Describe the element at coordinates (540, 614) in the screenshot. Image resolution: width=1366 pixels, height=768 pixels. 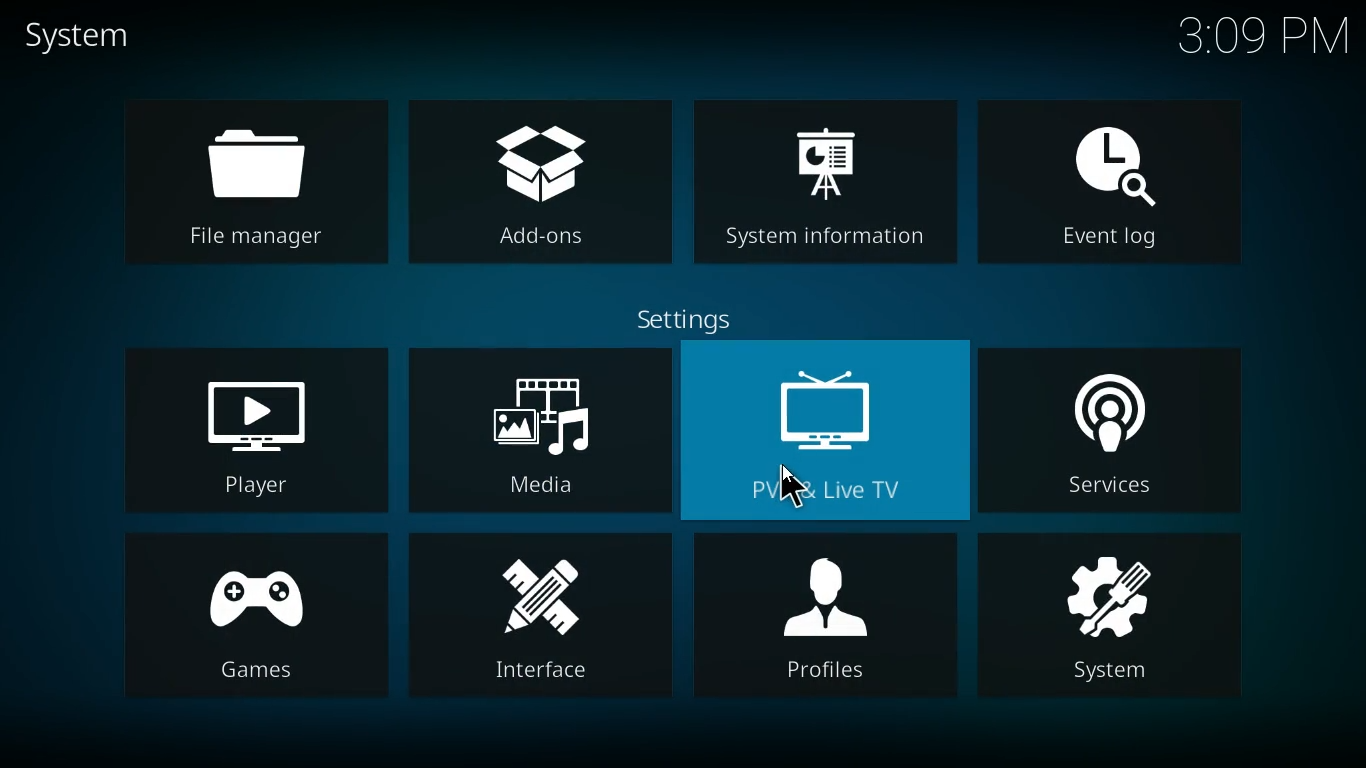
I see `interface` at that location.